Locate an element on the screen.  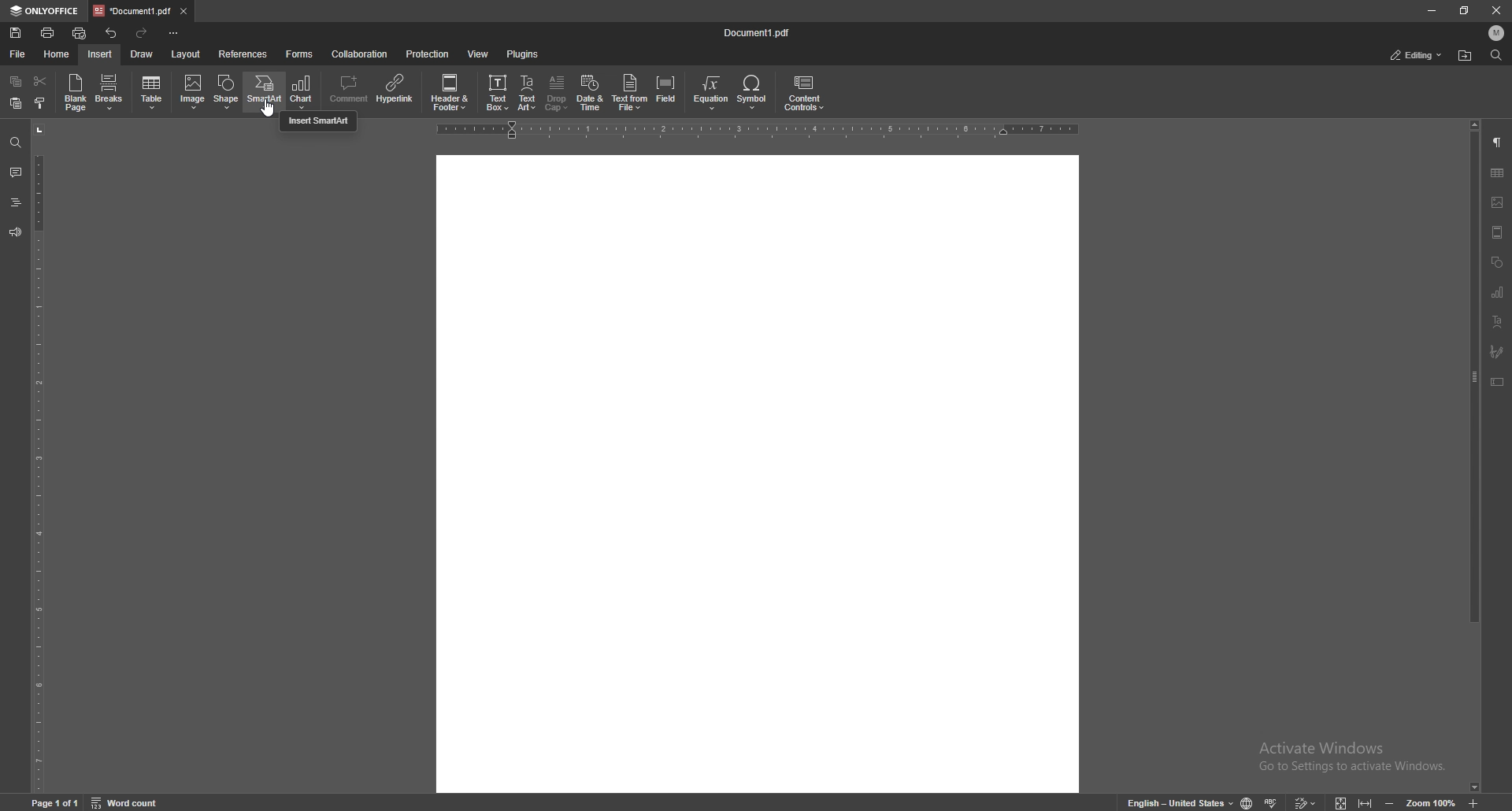
insert is located at coordinates (100, 54).